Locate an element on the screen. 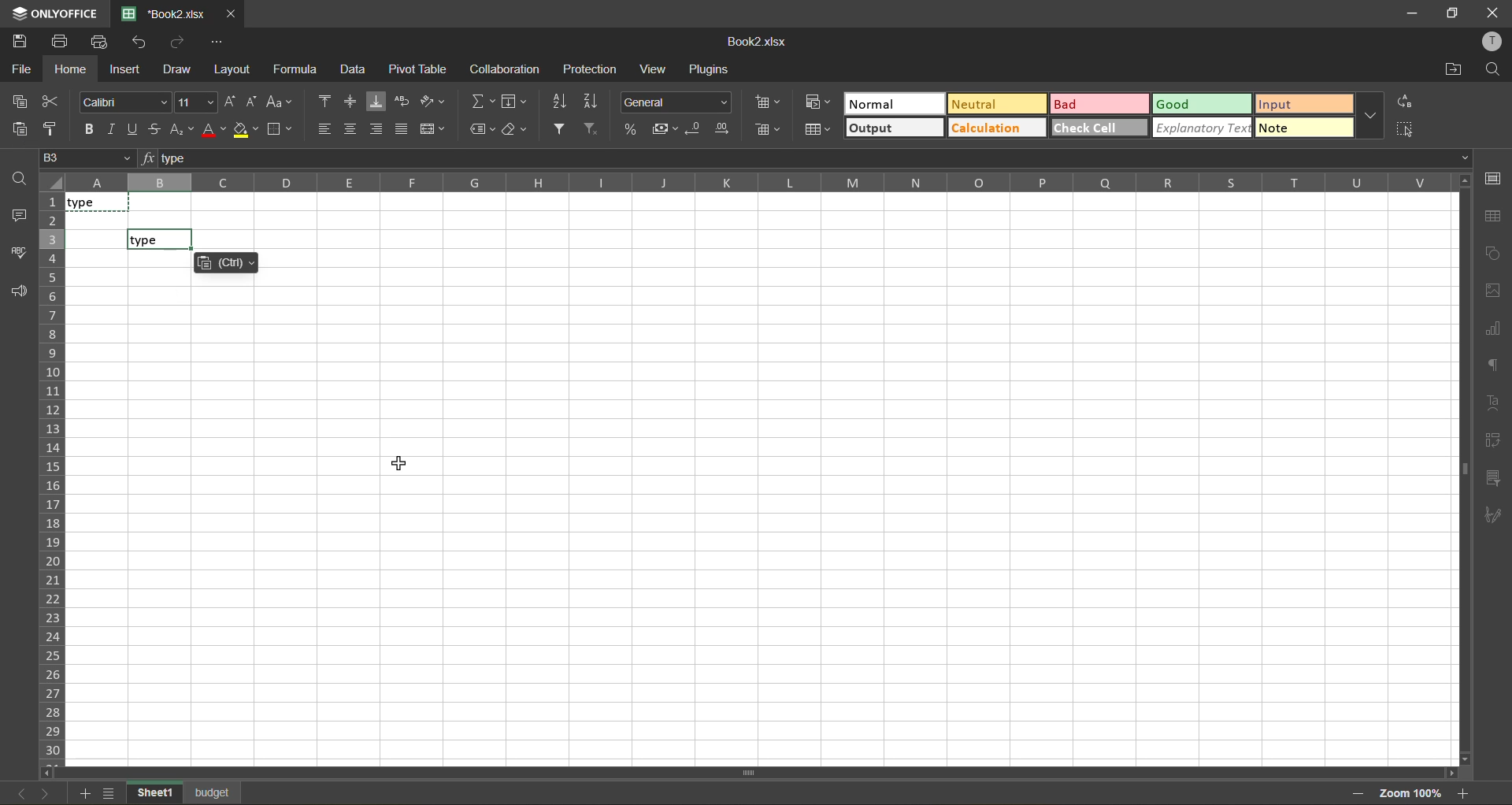 The width and height of the screenshot is (1512, 805). text is located at coordinates (1493, 402).